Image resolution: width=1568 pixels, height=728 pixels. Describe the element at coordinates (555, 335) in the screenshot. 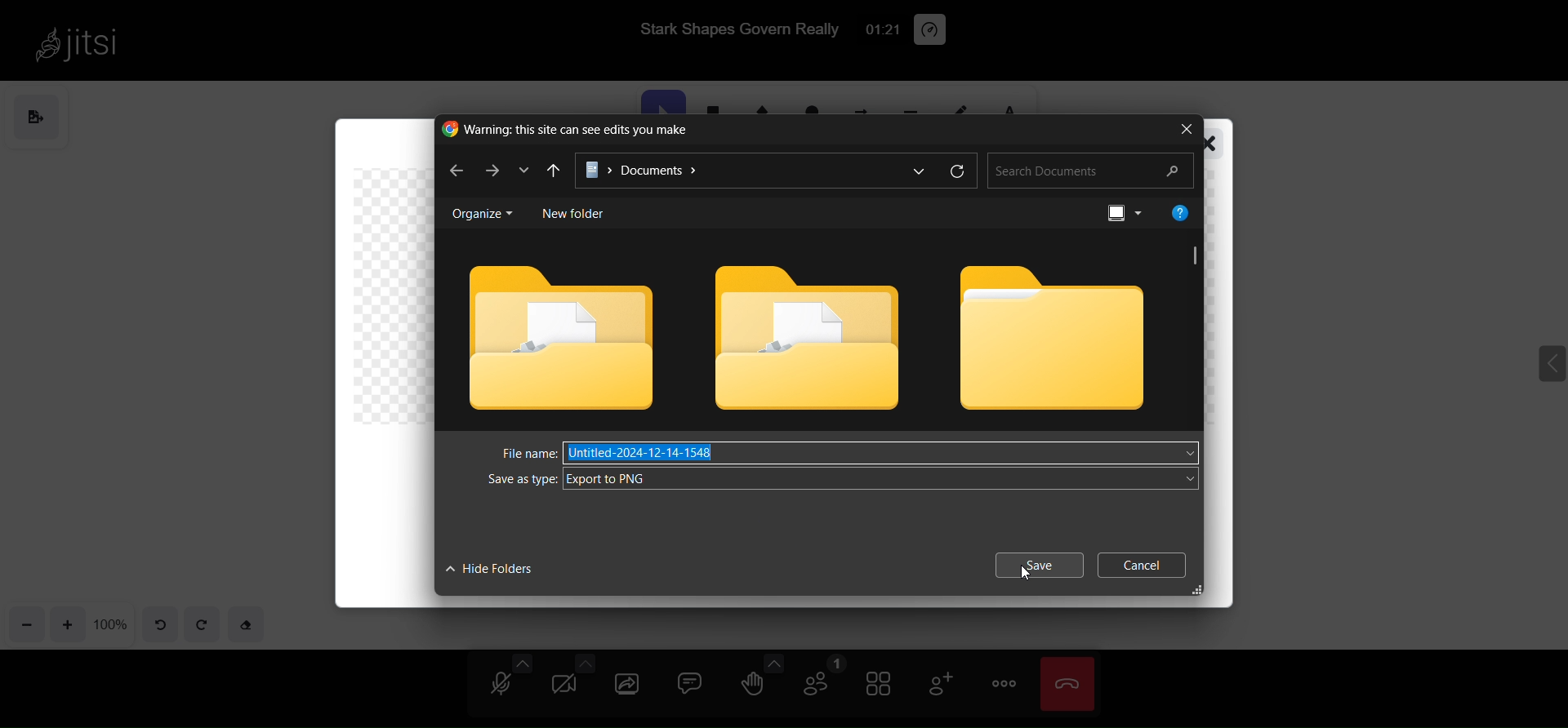

I see `folders 1` at that location.